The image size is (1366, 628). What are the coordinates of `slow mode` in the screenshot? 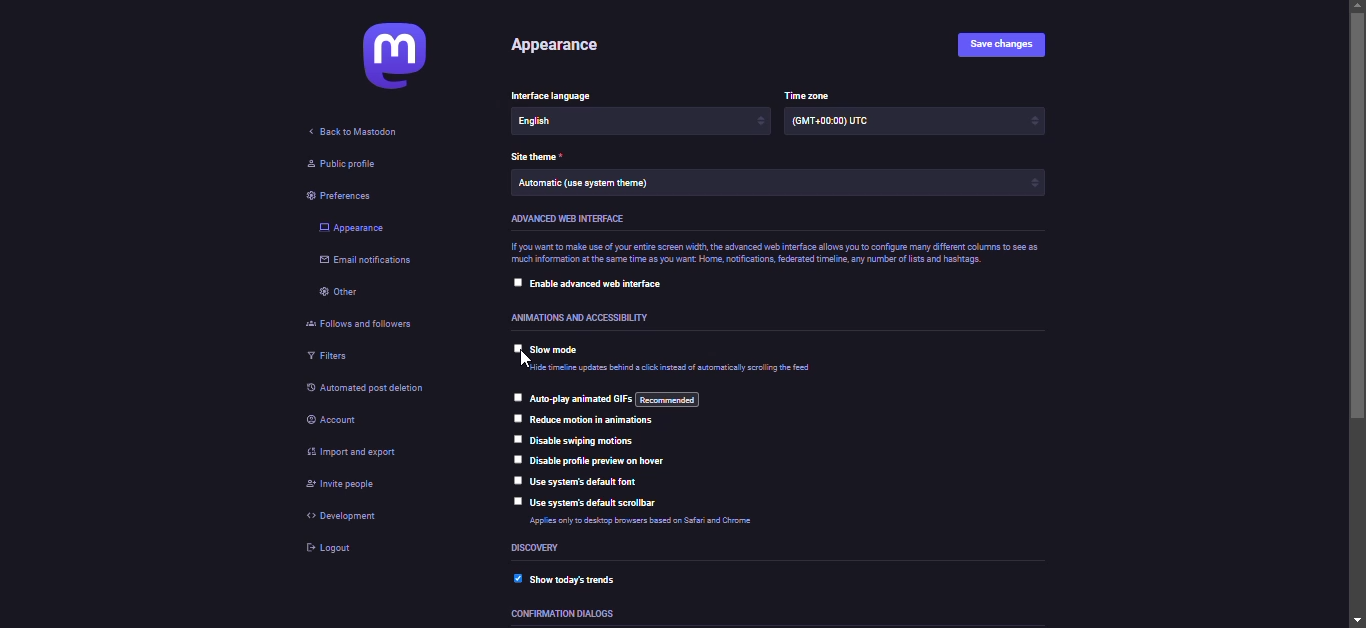 It's located at (565, 351).